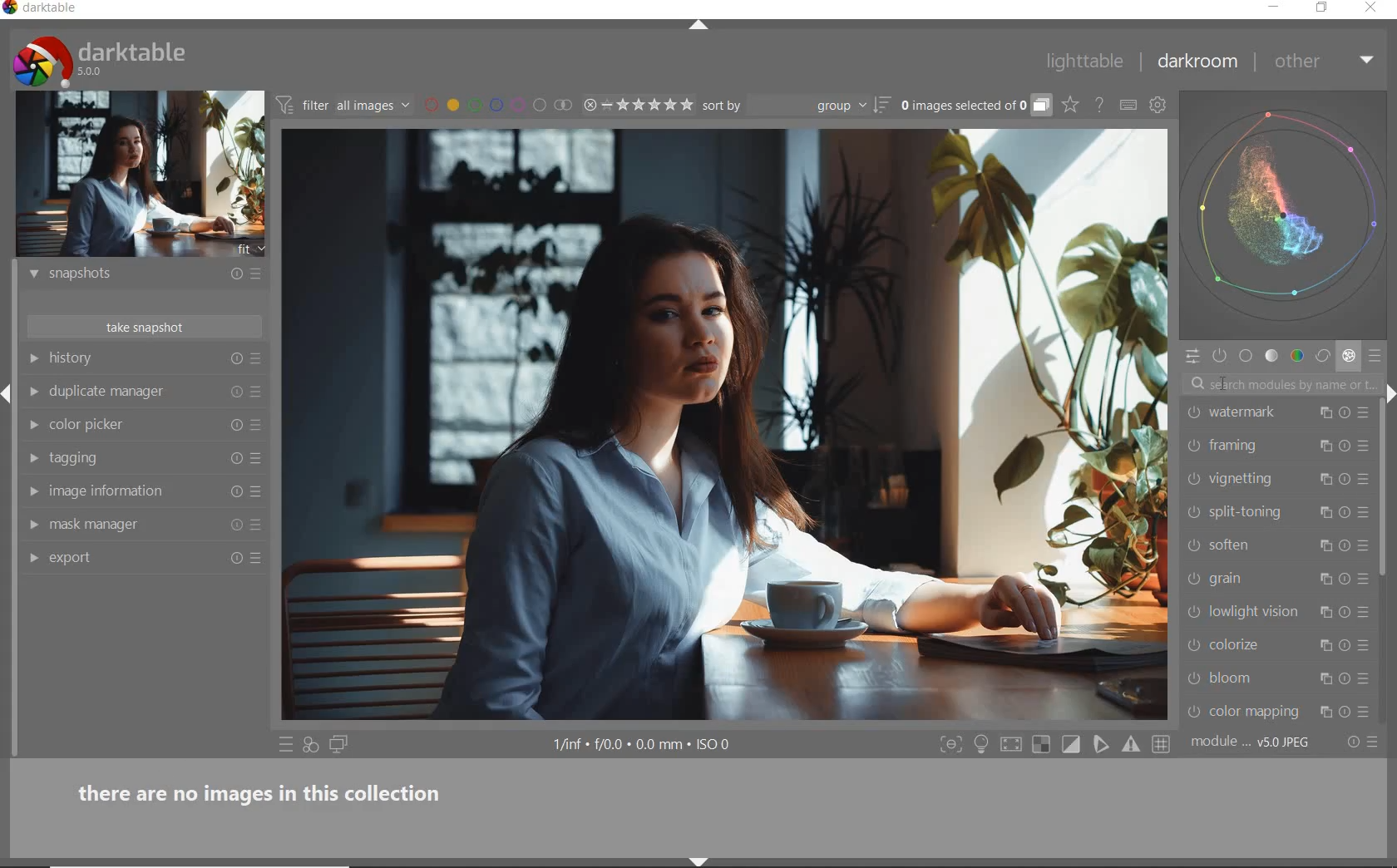  Describe the element at coordinates (234, 457) in the screenshot. I see `reset` at that location.